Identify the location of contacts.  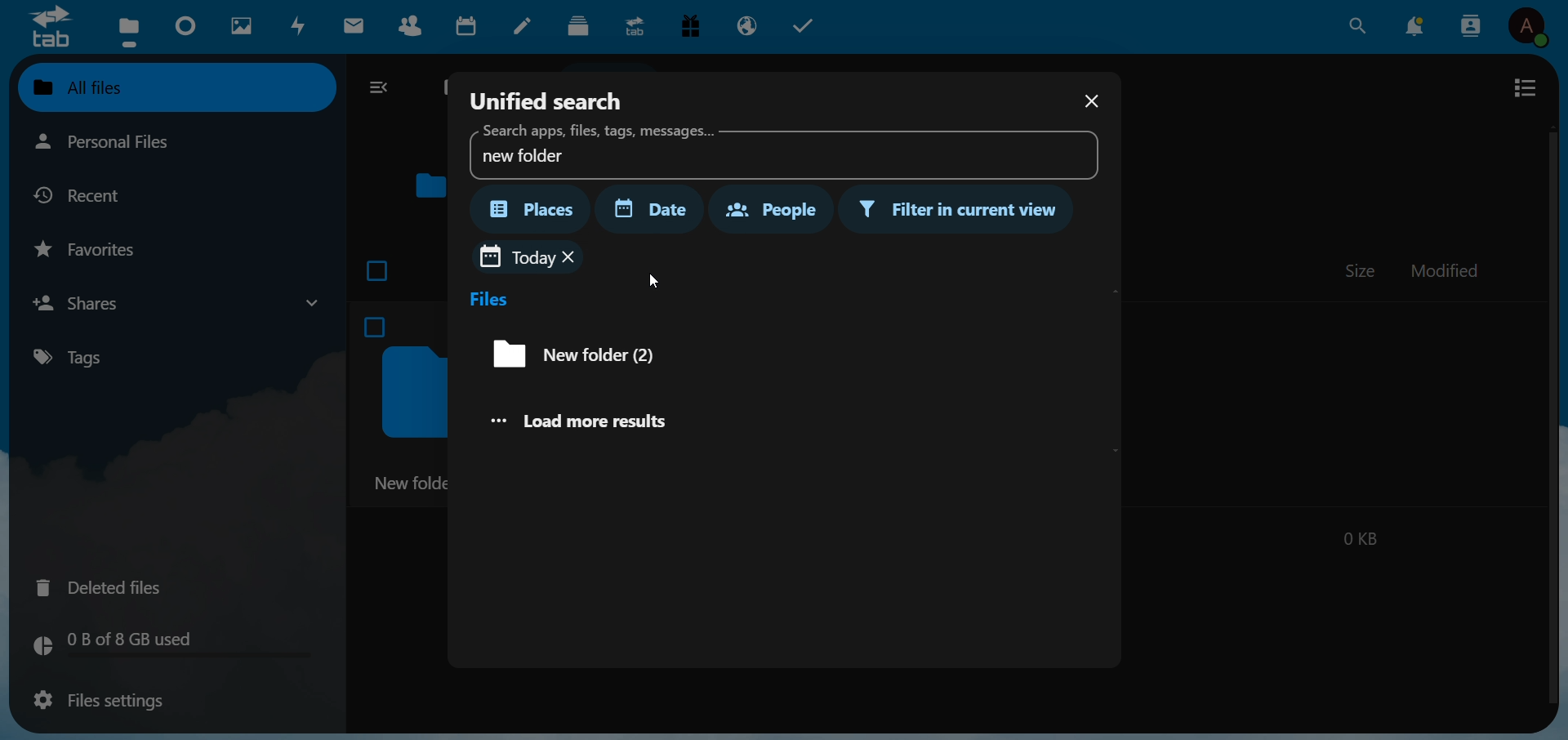
(1472, 25).